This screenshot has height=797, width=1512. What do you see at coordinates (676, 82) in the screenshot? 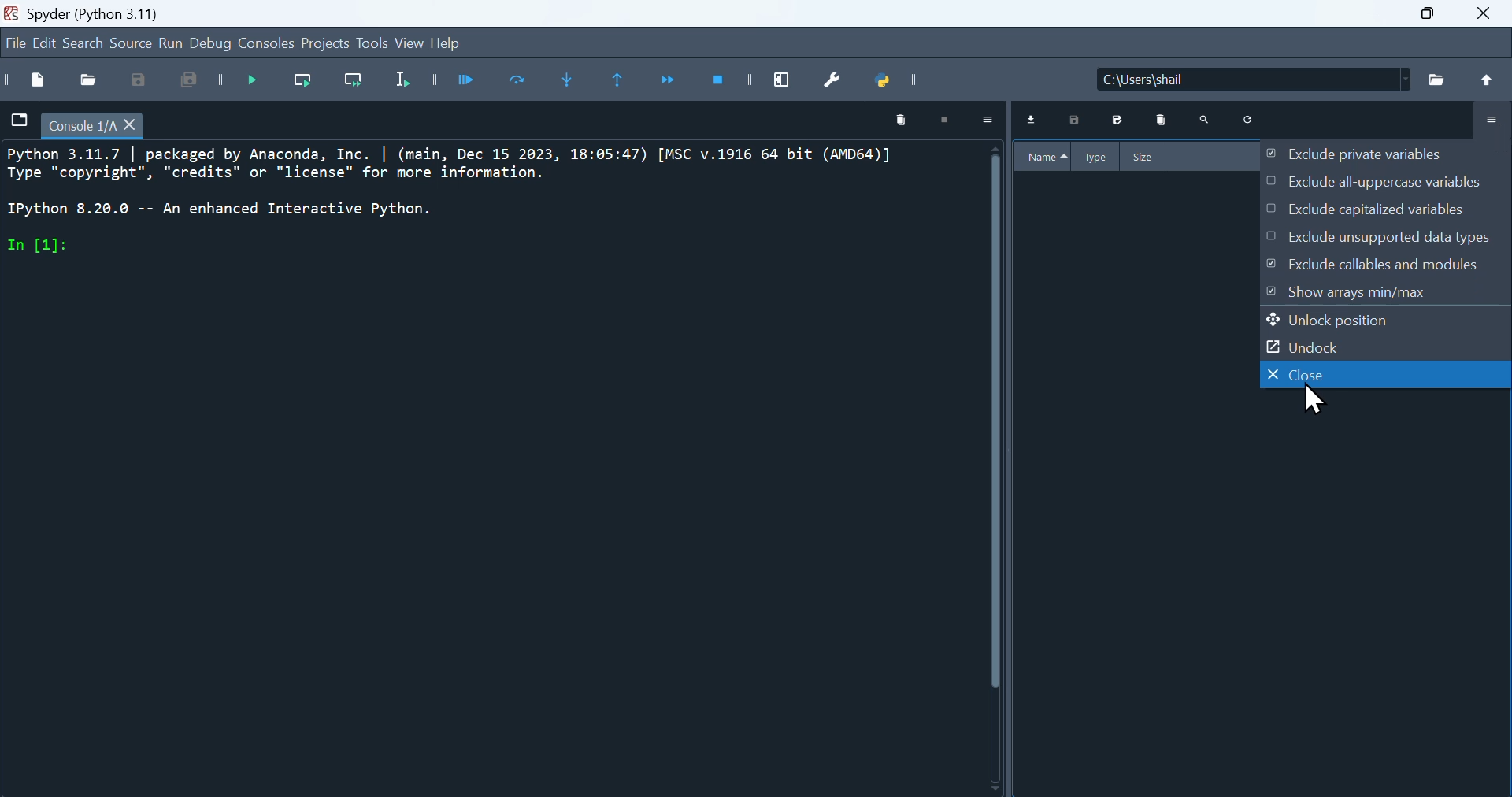
I see `Continue execution until next function returns` at bounding box center [676, 82].